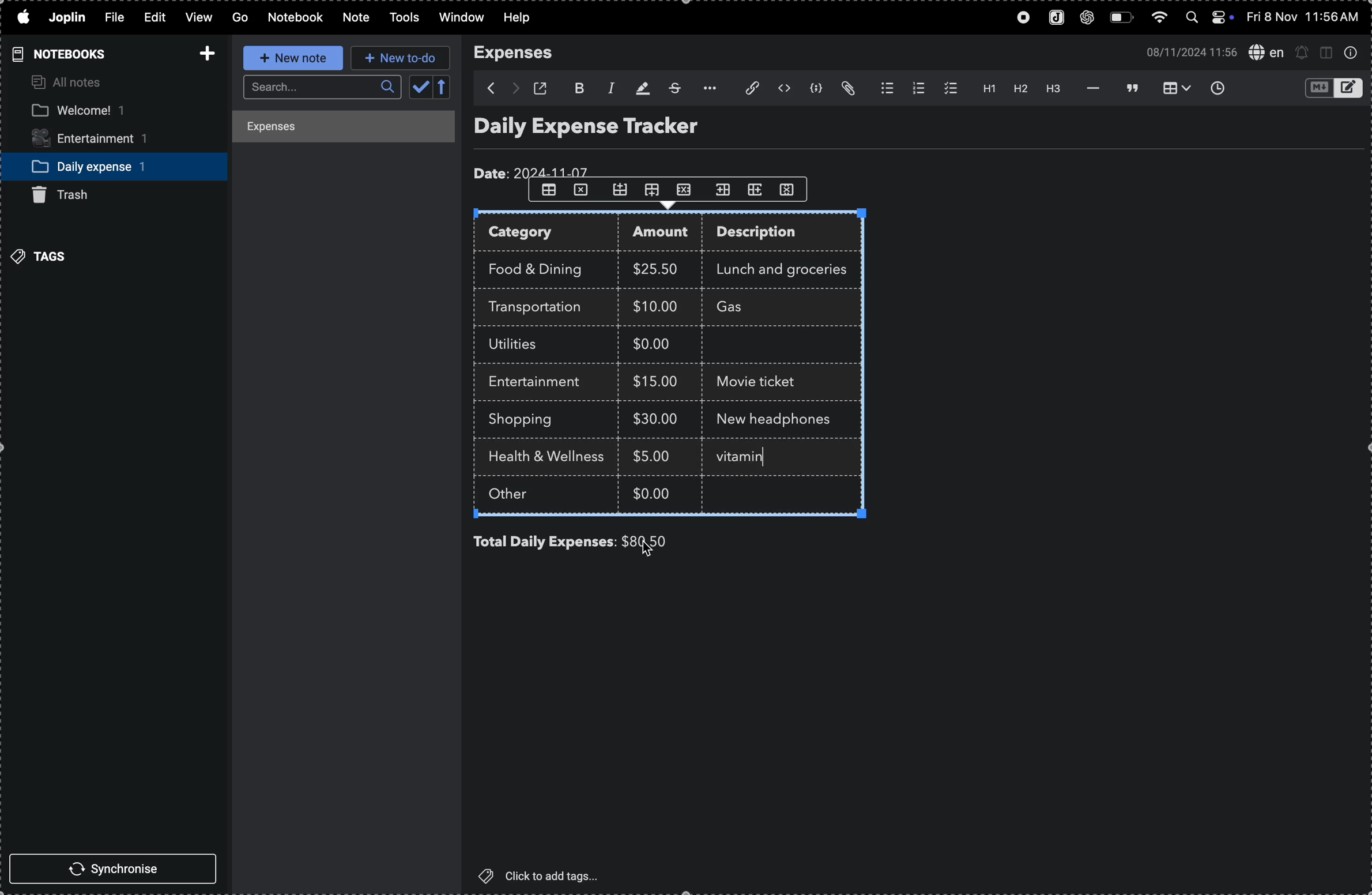 This screenshot has width=1372, height=895. I want to click on code, so click(817, 90).